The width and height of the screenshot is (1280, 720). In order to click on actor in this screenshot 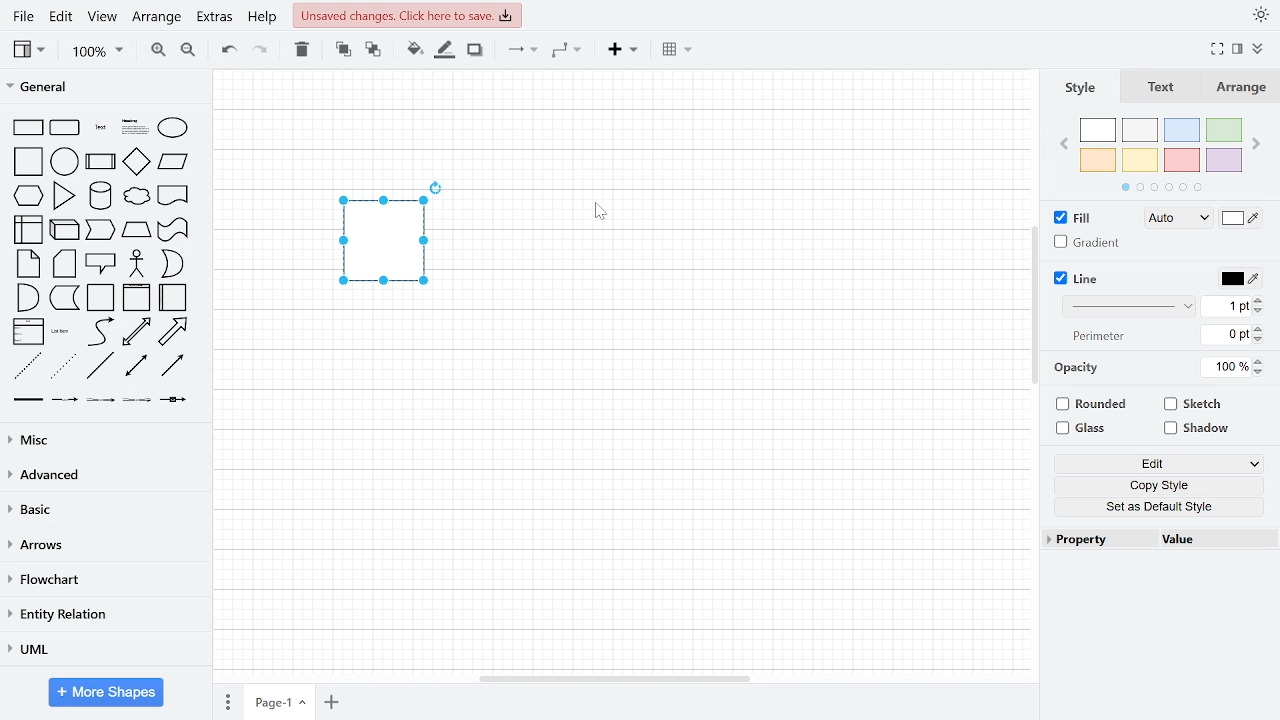, I will do `click(137, 264)`.